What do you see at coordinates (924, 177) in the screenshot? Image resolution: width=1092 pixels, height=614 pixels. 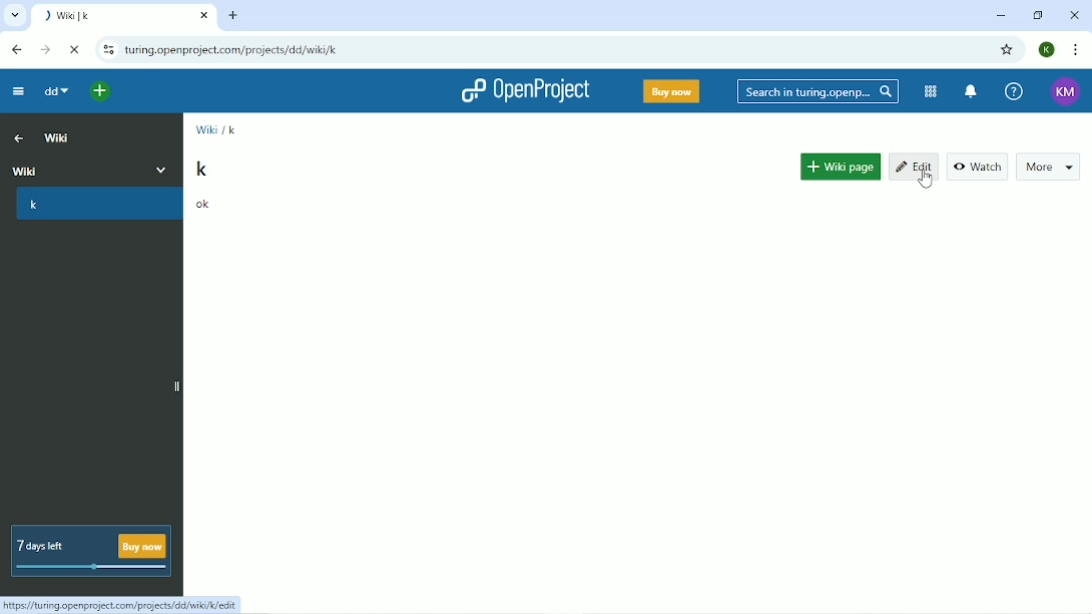 I see `Cursor` at bounding box center [924, 177].